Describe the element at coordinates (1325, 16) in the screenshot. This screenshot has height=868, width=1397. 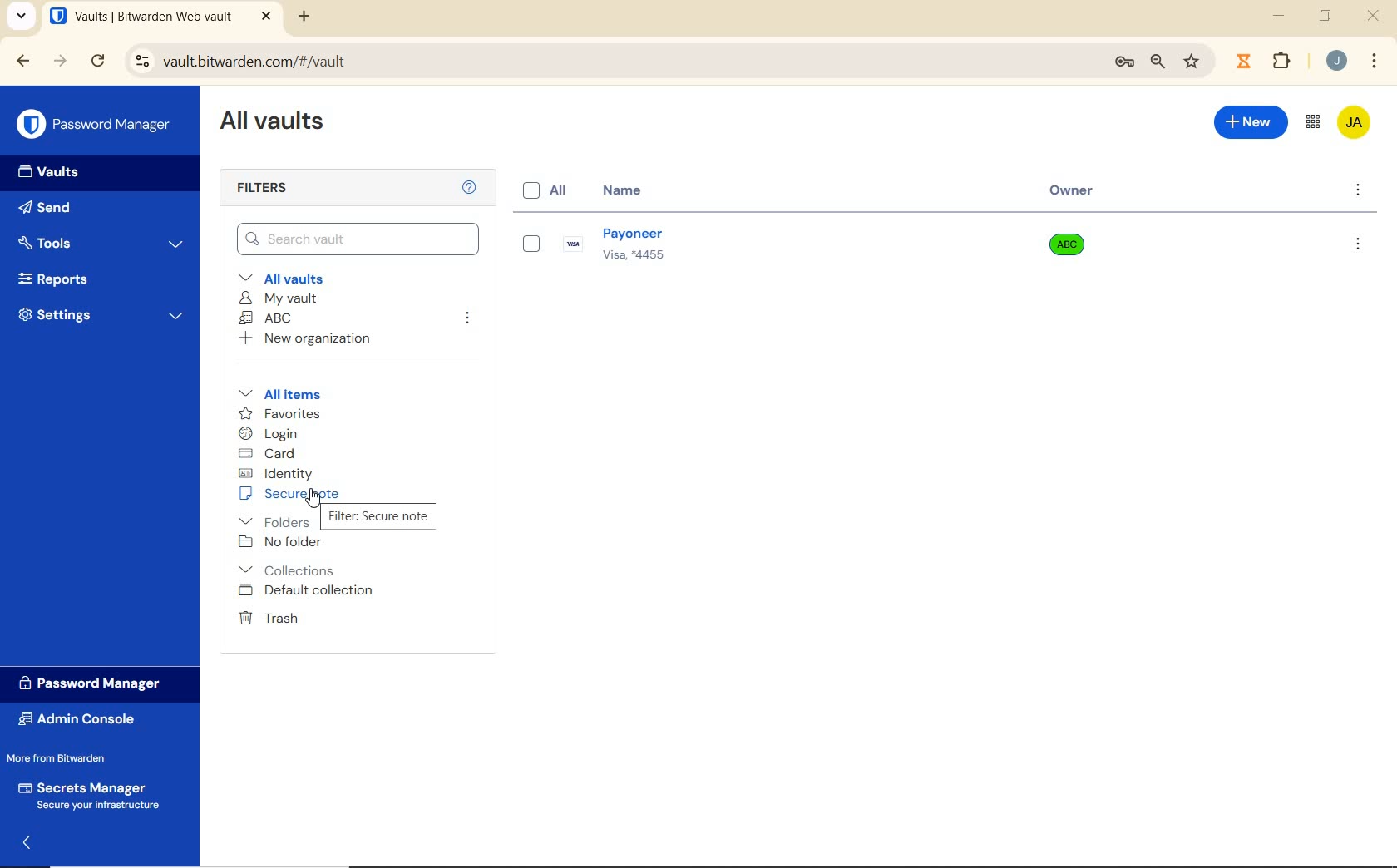
I see `restore` at that location.